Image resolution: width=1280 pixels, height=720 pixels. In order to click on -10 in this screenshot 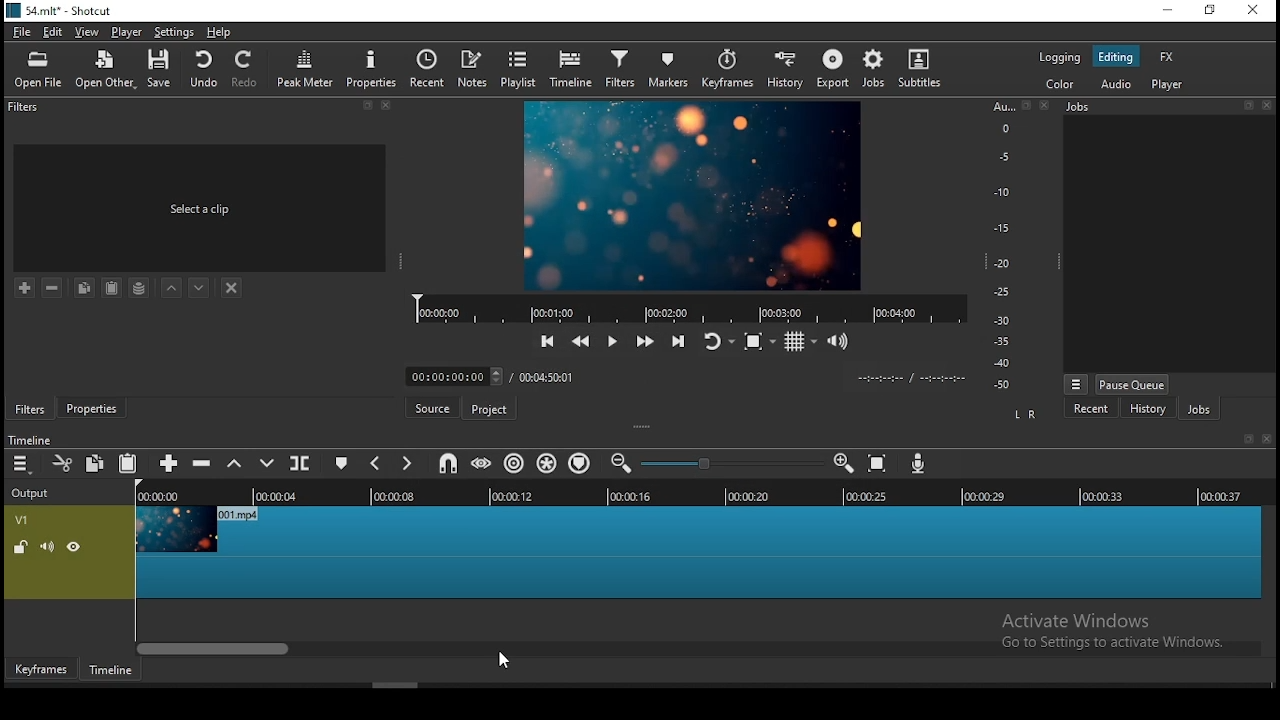, I will do `click(1000, 192)`.